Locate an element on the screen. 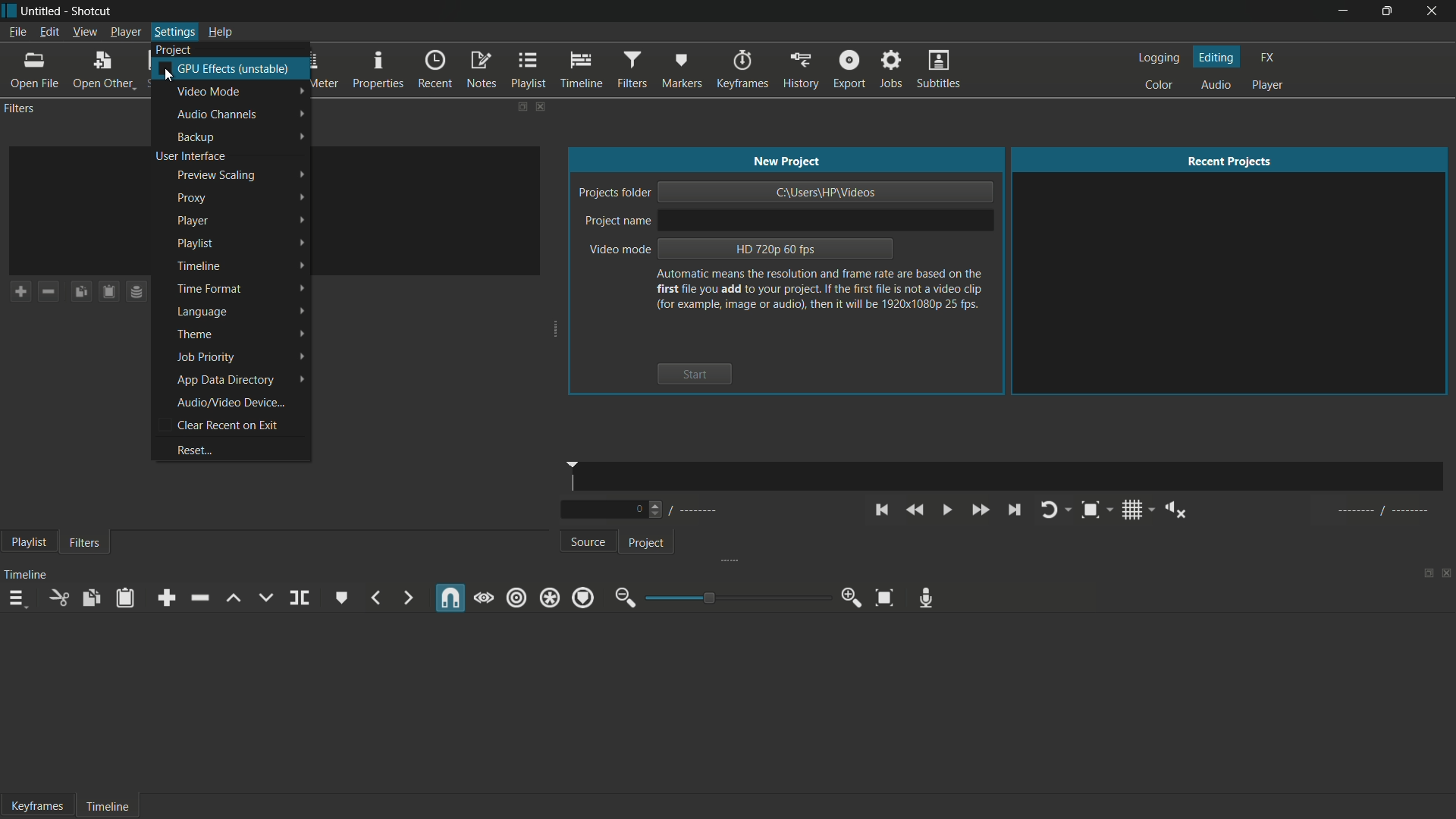 Image resolution: width=1456 pixels, height=819 pixels. project name is located at coordinates (43, 11).